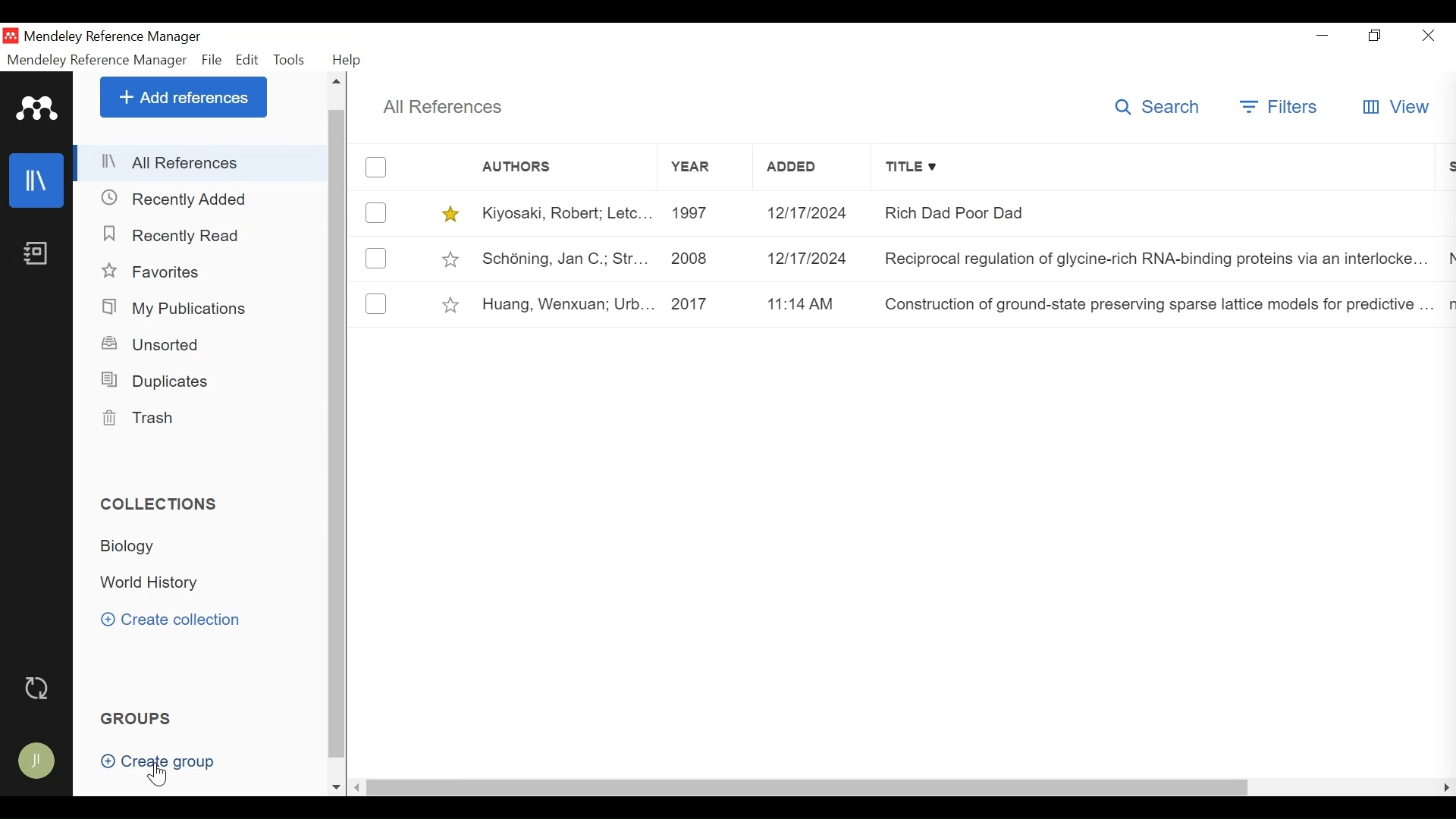 The width and height of the screenshot is (1456, 819). I want to click on Create Group, so click(166, 761).